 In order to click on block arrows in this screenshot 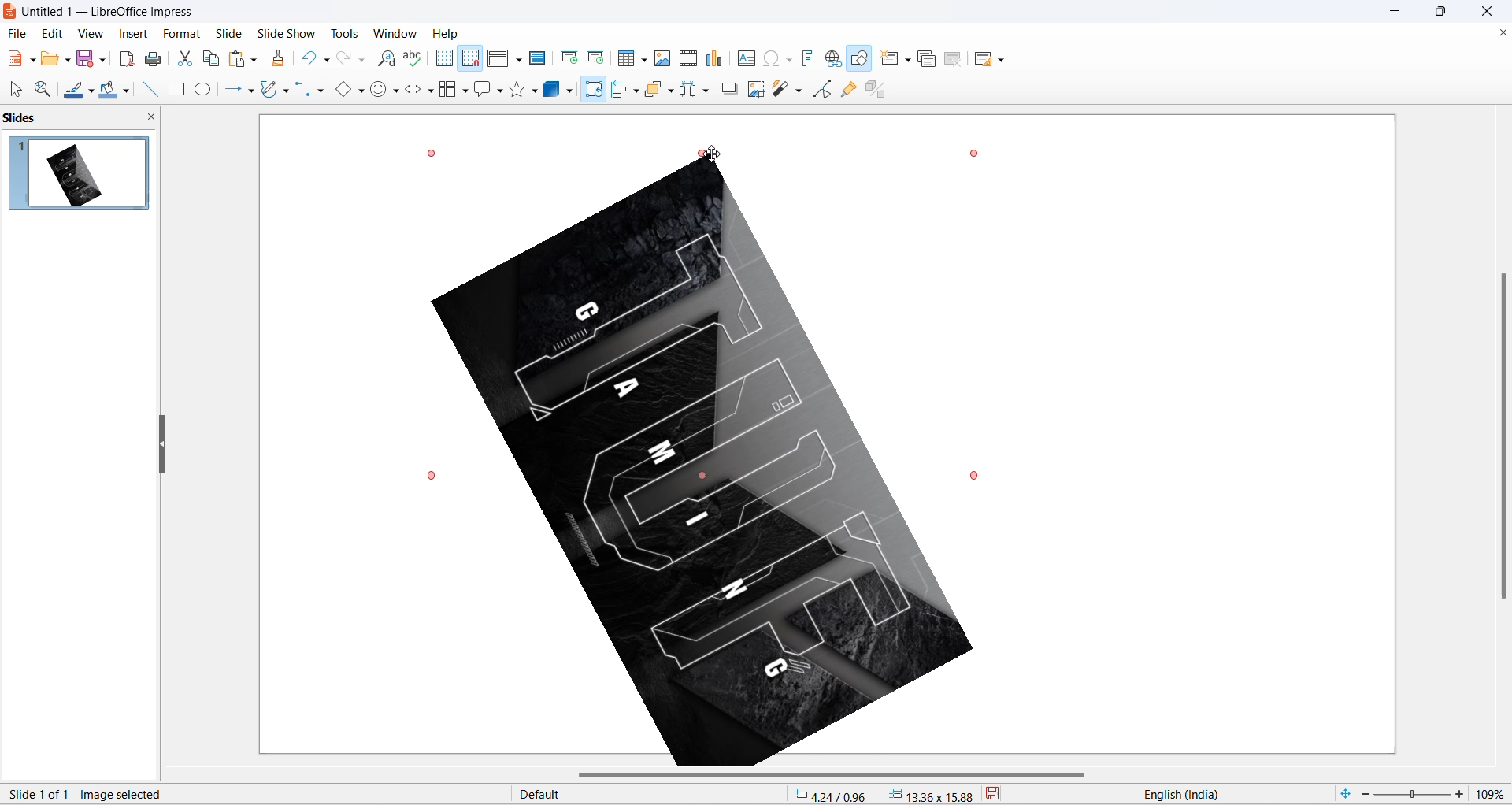, I will do `click(413, 92)`.